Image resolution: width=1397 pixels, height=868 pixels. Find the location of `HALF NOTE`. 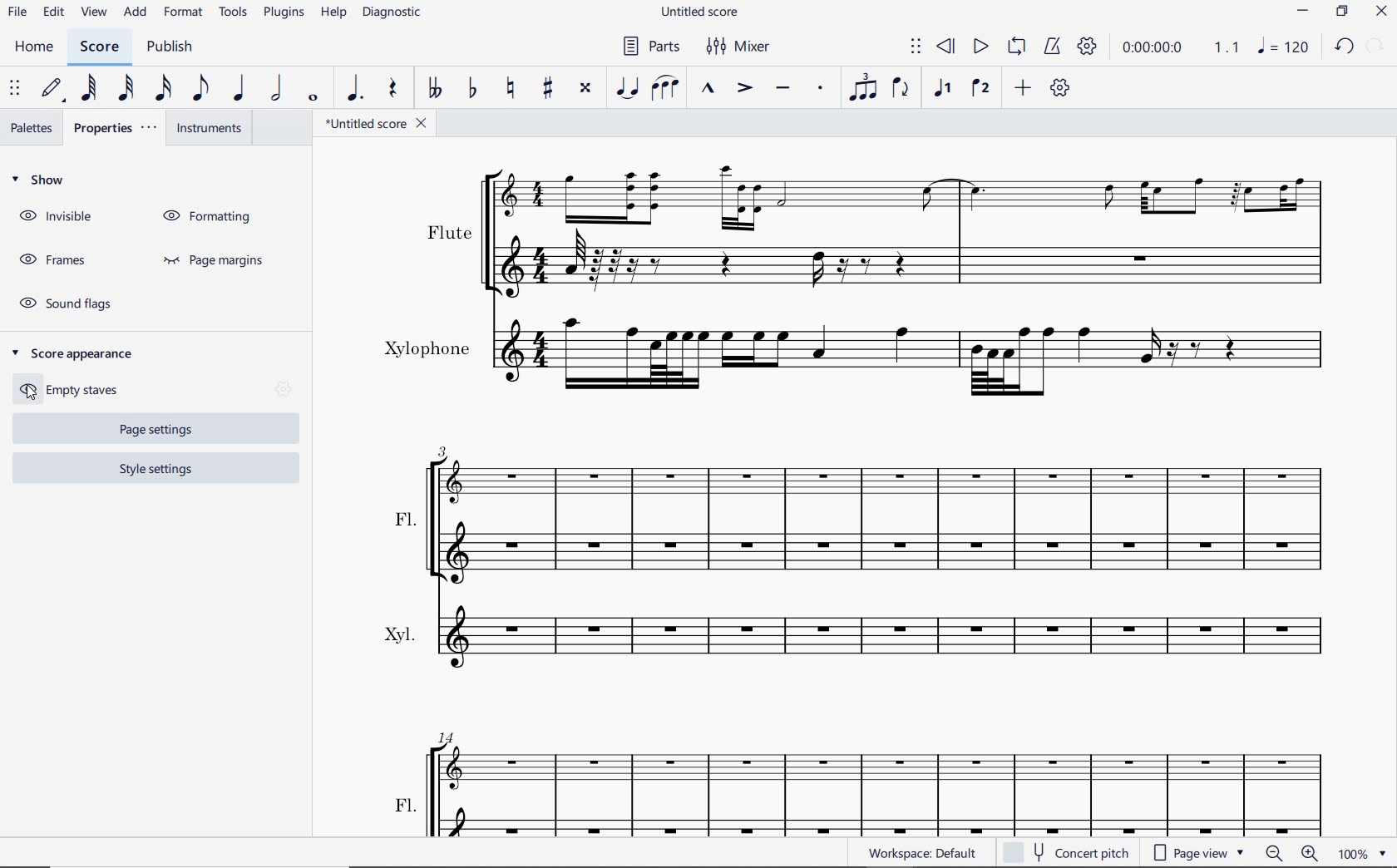

HALF NOTE is located at coordinates (279, 89).